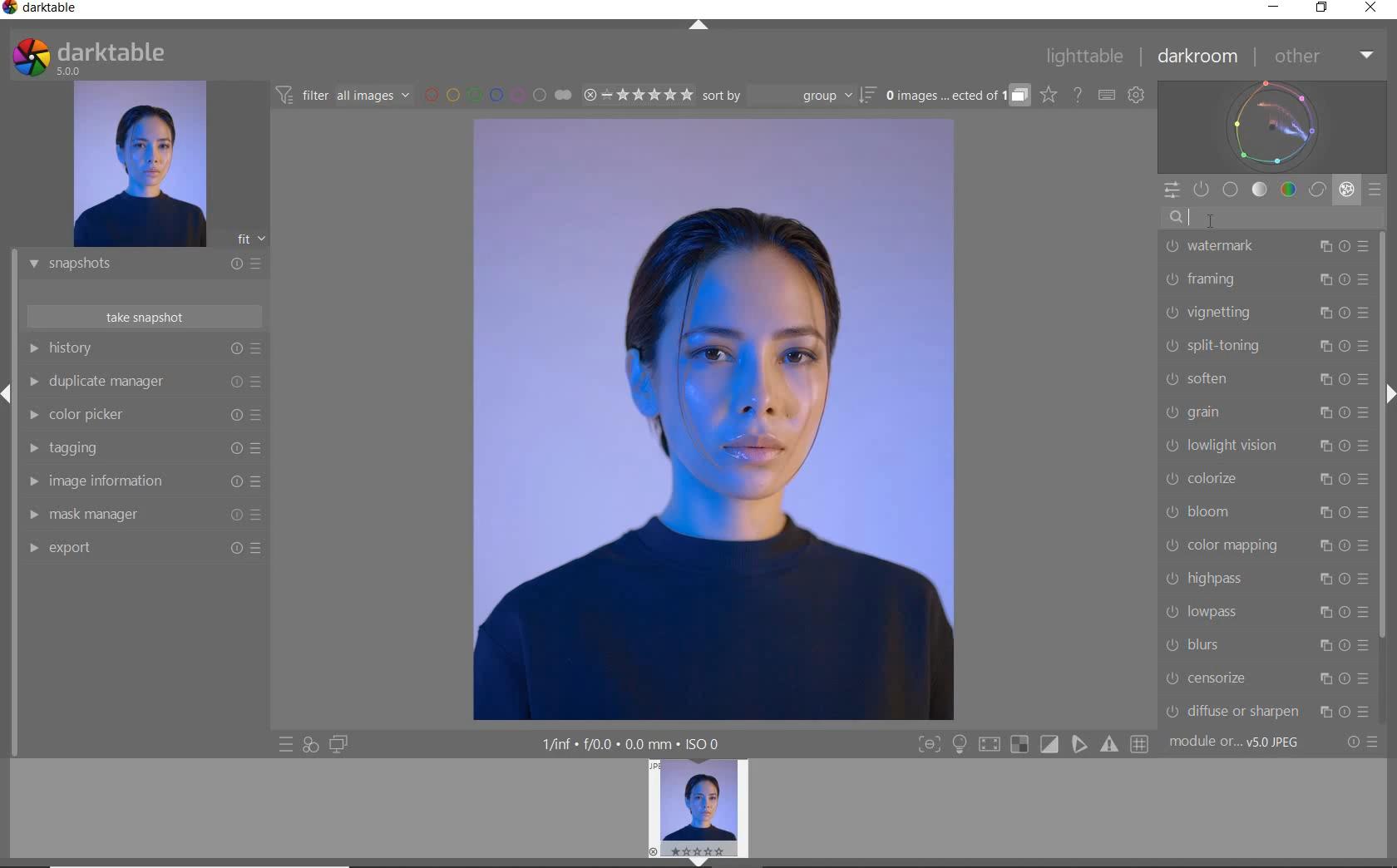 The width and height of the screenshot is (1397, 868). What do you see at coordinates (88, 57) in the screenshot?
I see `SYSTEM LOGO` at bounding box center [88, 57].